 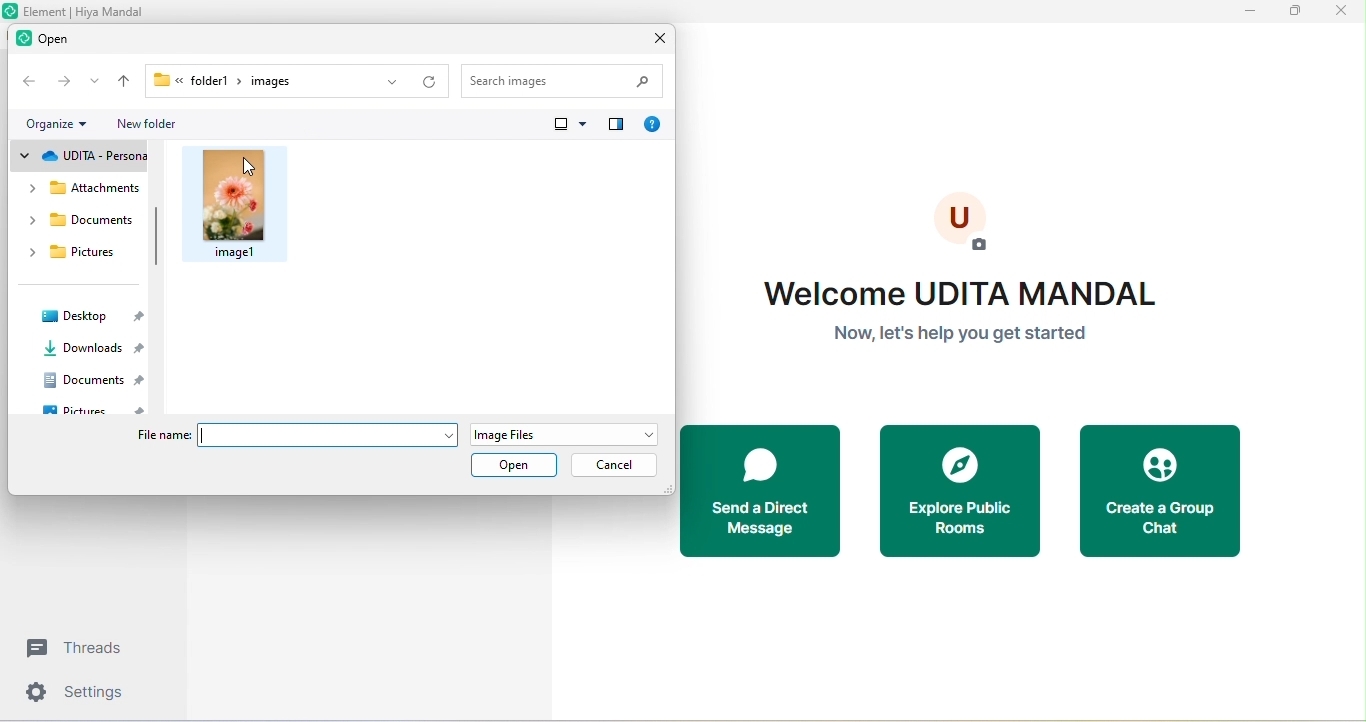 What do you see at coordinates (152, 126) in the screenshot?
I see `new folder` at bounding box center [152, 126].